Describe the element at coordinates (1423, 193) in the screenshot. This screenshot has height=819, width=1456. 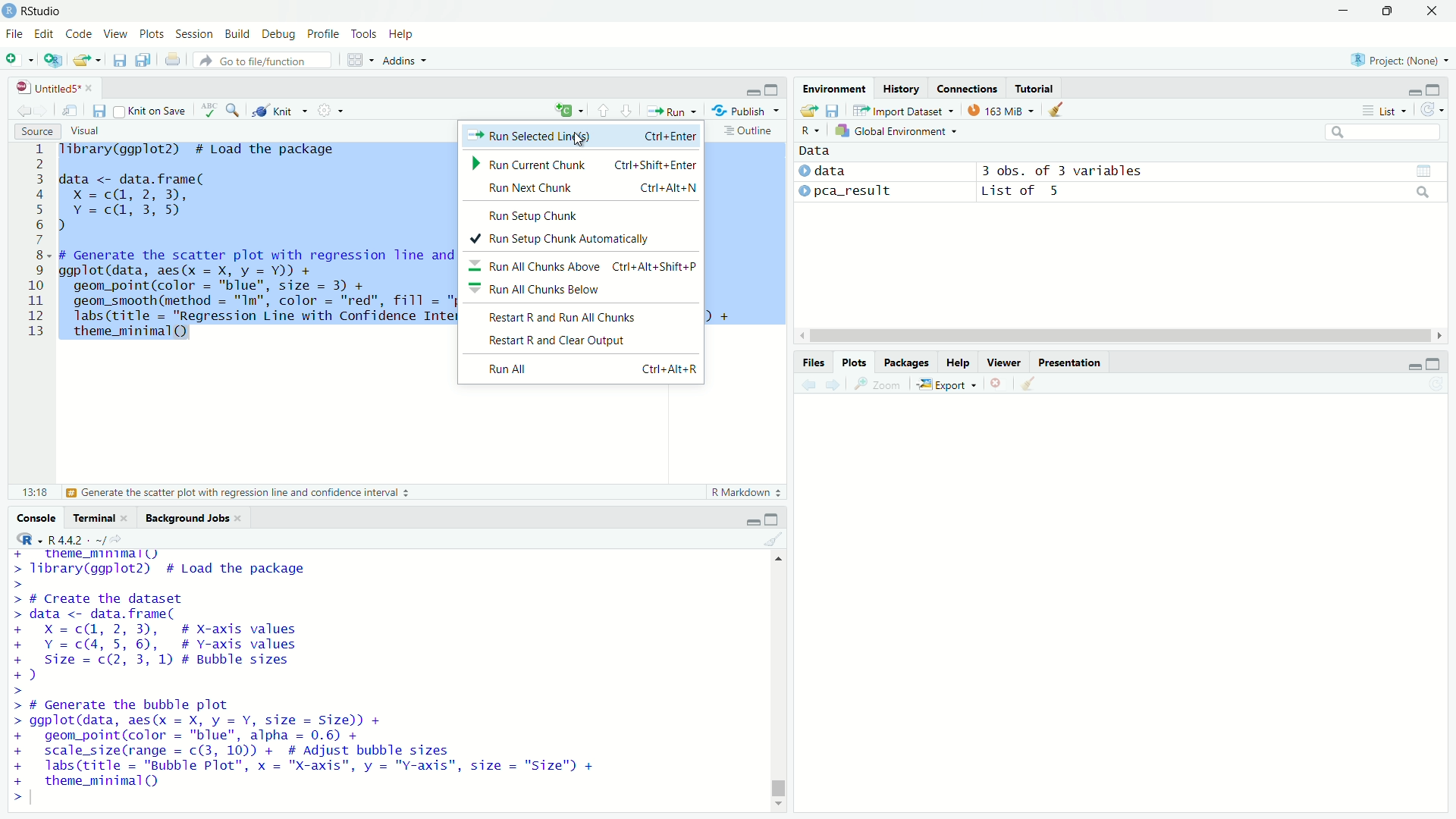
I see `search` at that location.